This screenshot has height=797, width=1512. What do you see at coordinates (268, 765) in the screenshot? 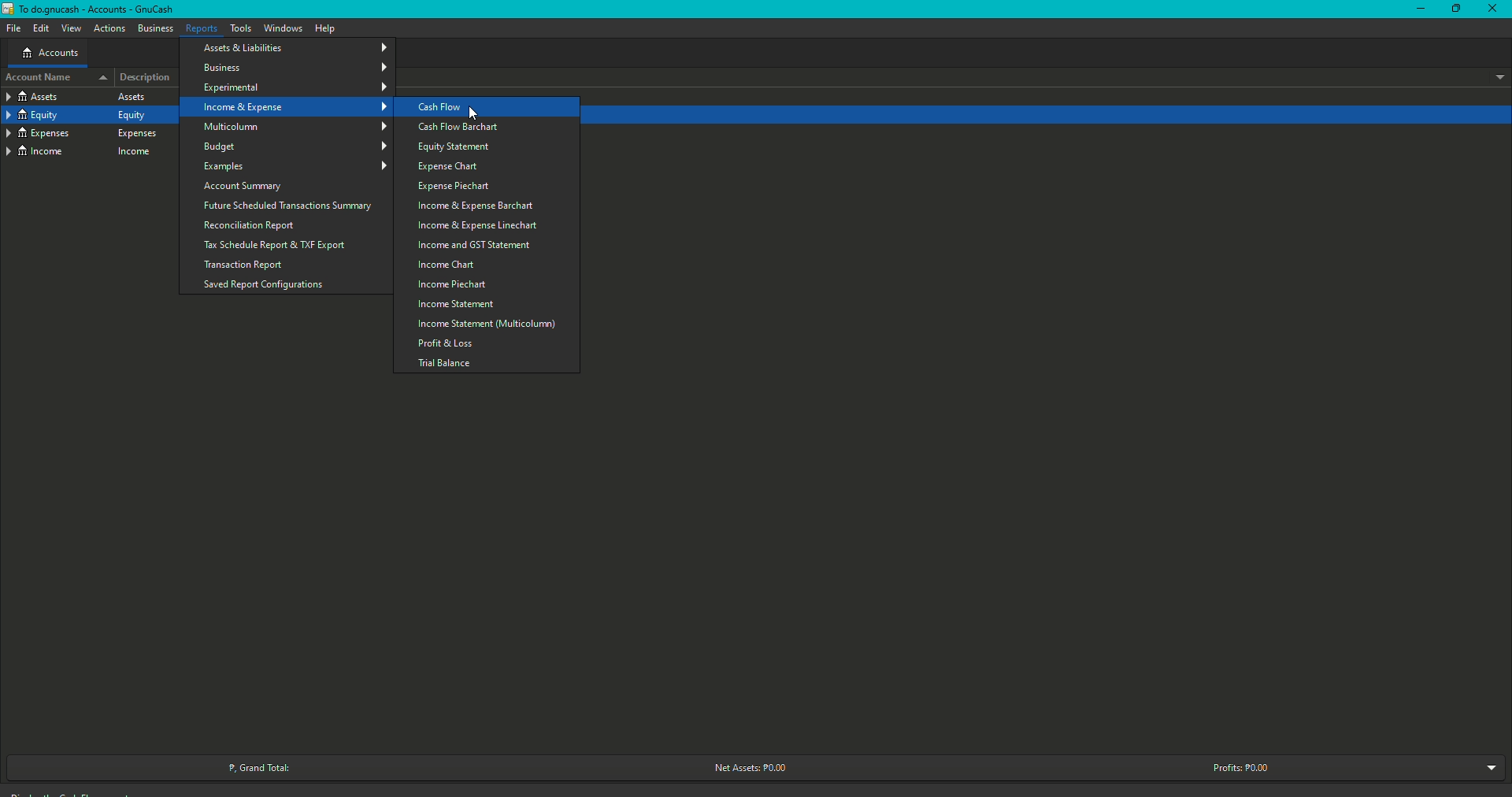
I see `Grand Total` at bounding box center [268, 765].